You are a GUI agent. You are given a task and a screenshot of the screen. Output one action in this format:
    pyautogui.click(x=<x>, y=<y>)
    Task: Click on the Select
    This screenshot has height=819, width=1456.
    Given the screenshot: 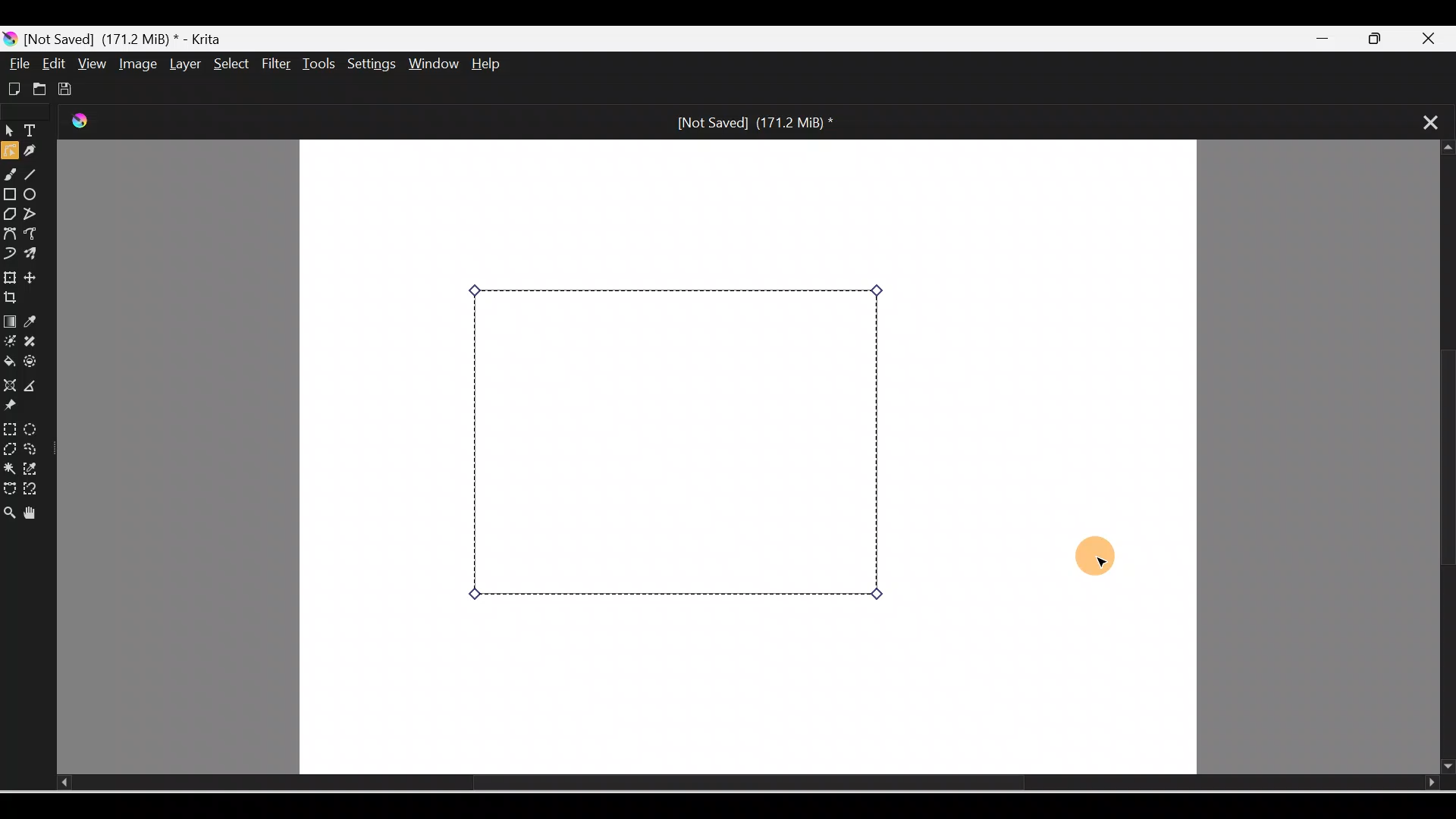 What is the action you would take?
    pyautogui.click(x=227, y=63)
    